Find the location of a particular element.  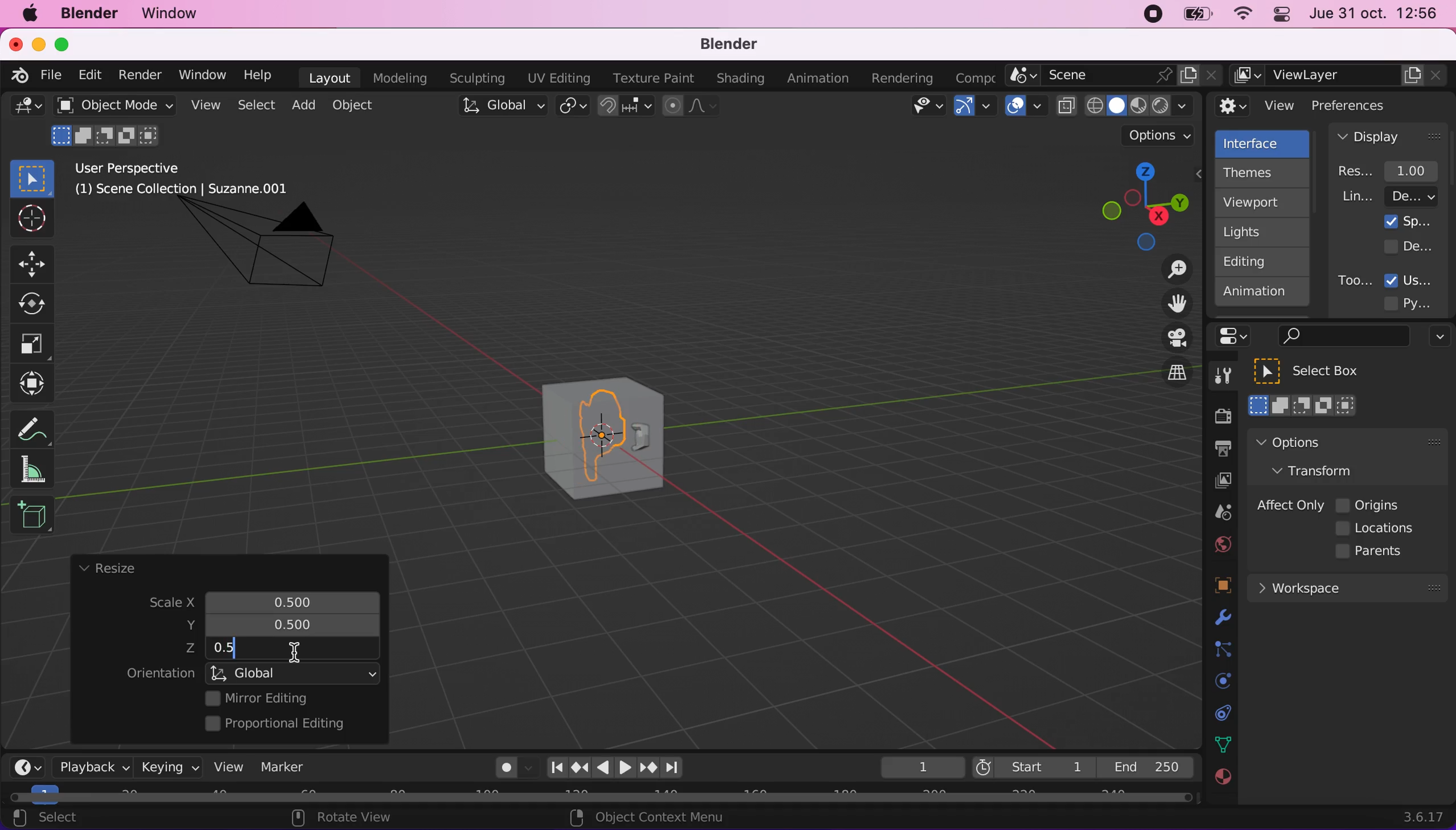

jump to keyframe is located at coordinates (580, 767).